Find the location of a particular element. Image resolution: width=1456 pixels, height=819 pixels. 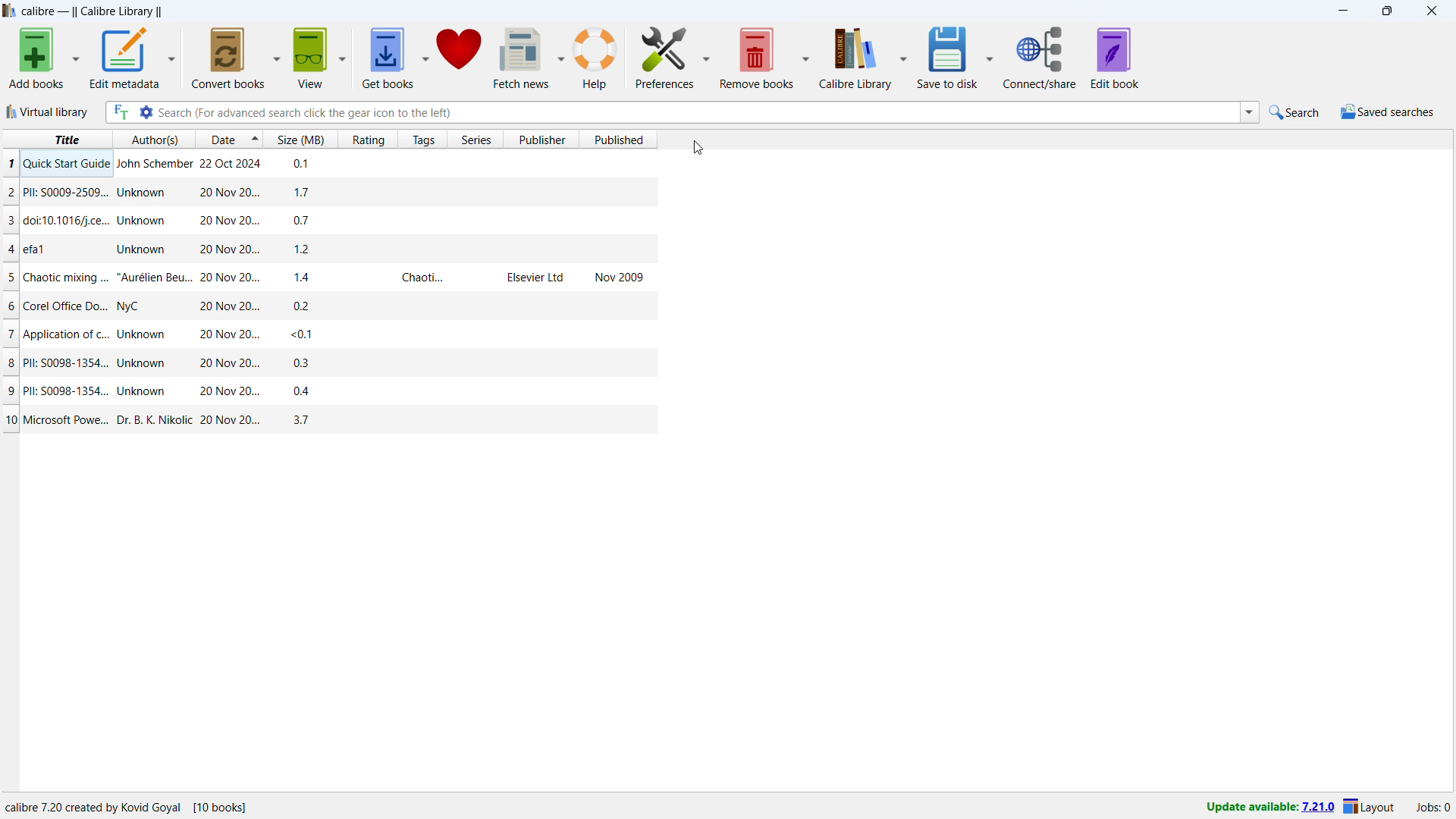

edit metadata is located at coordinates (125, 58).